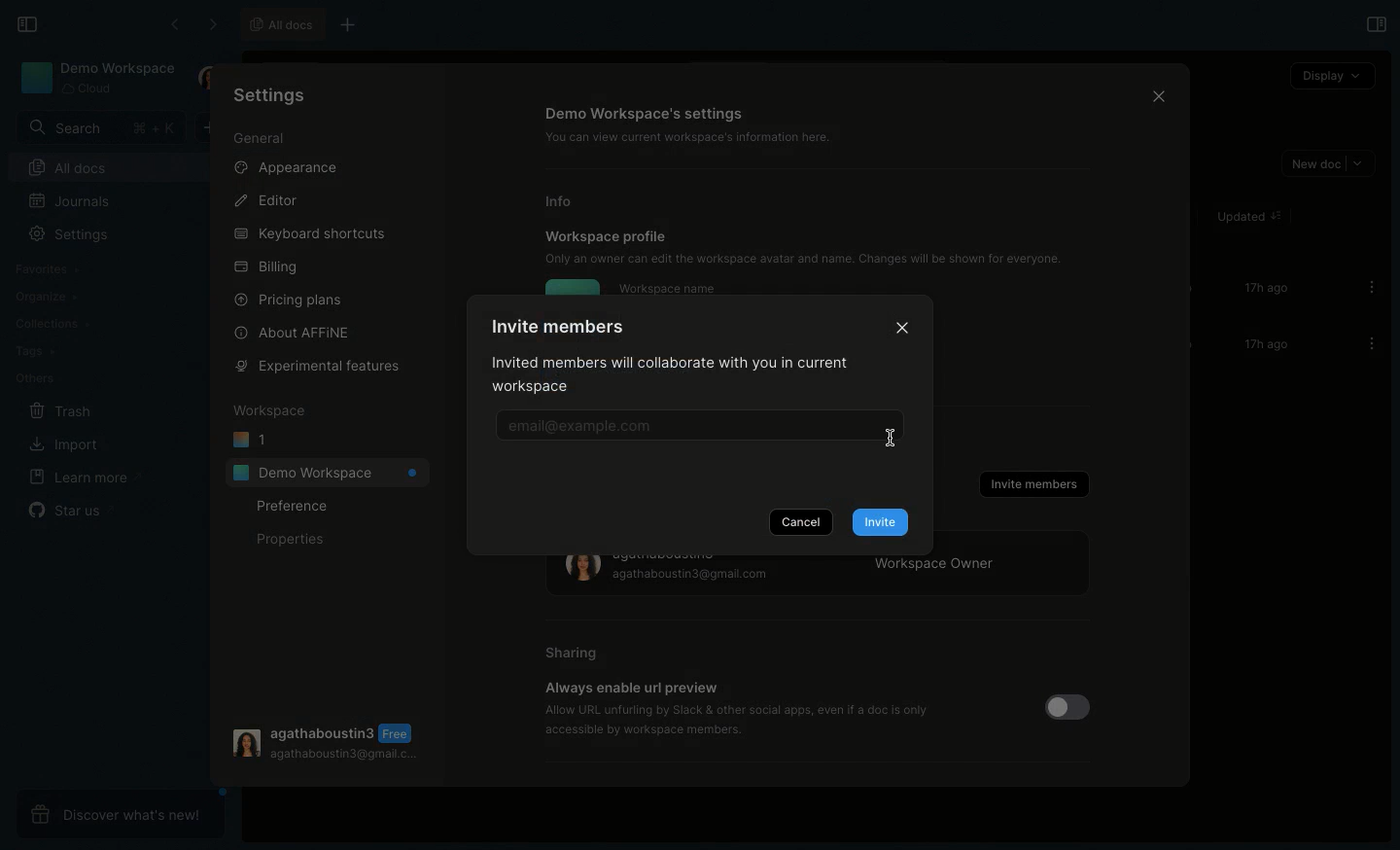 Image resolution: width=1400 pixels, height=850 pixels. I want to click on Invited members will collaborate with you in current workspace, so click(679, 377).